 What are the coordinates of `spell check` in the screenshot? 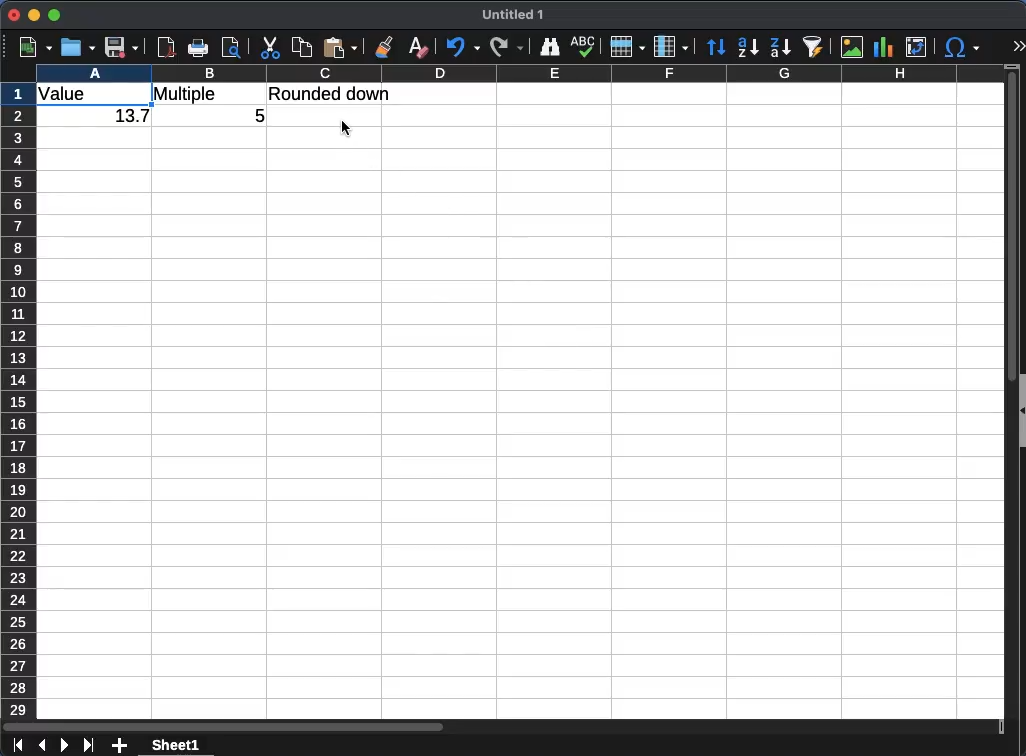 It's located at (585, 46).